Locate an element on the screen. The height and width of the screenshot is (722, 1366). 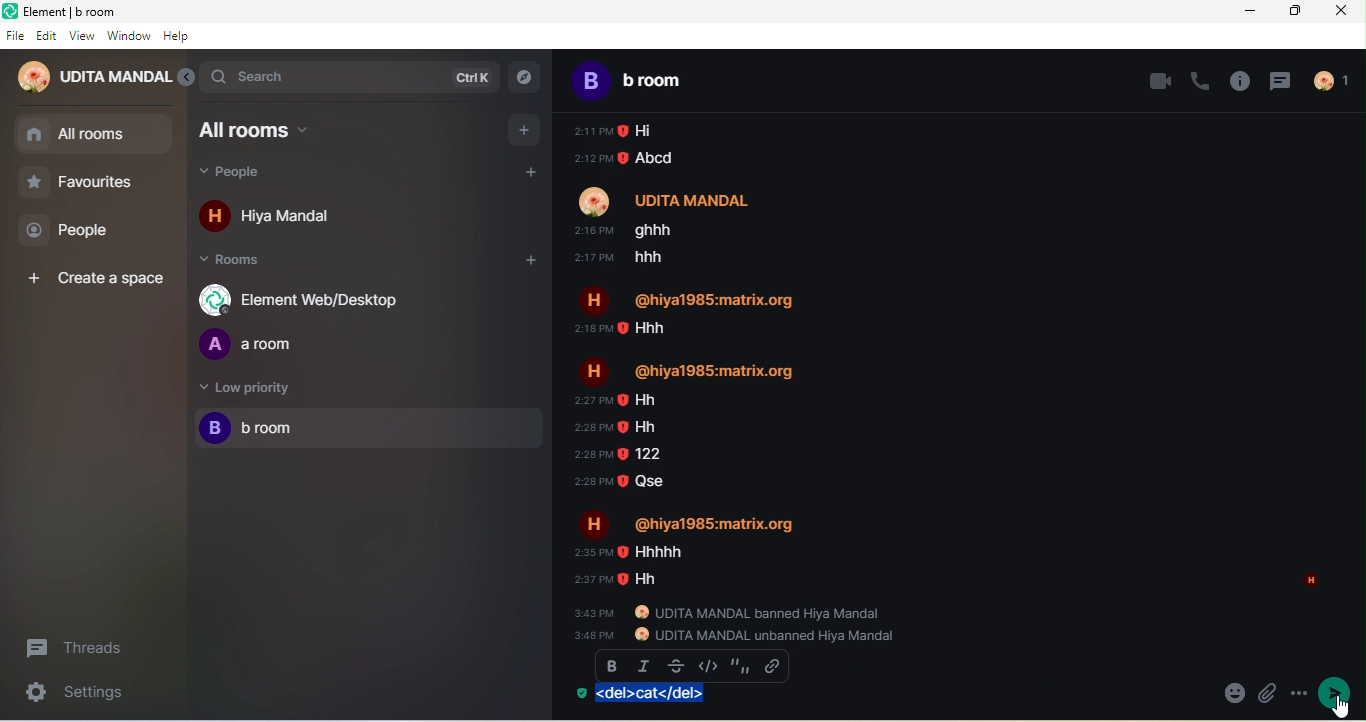
threads is located at coordinates (1280, 80).